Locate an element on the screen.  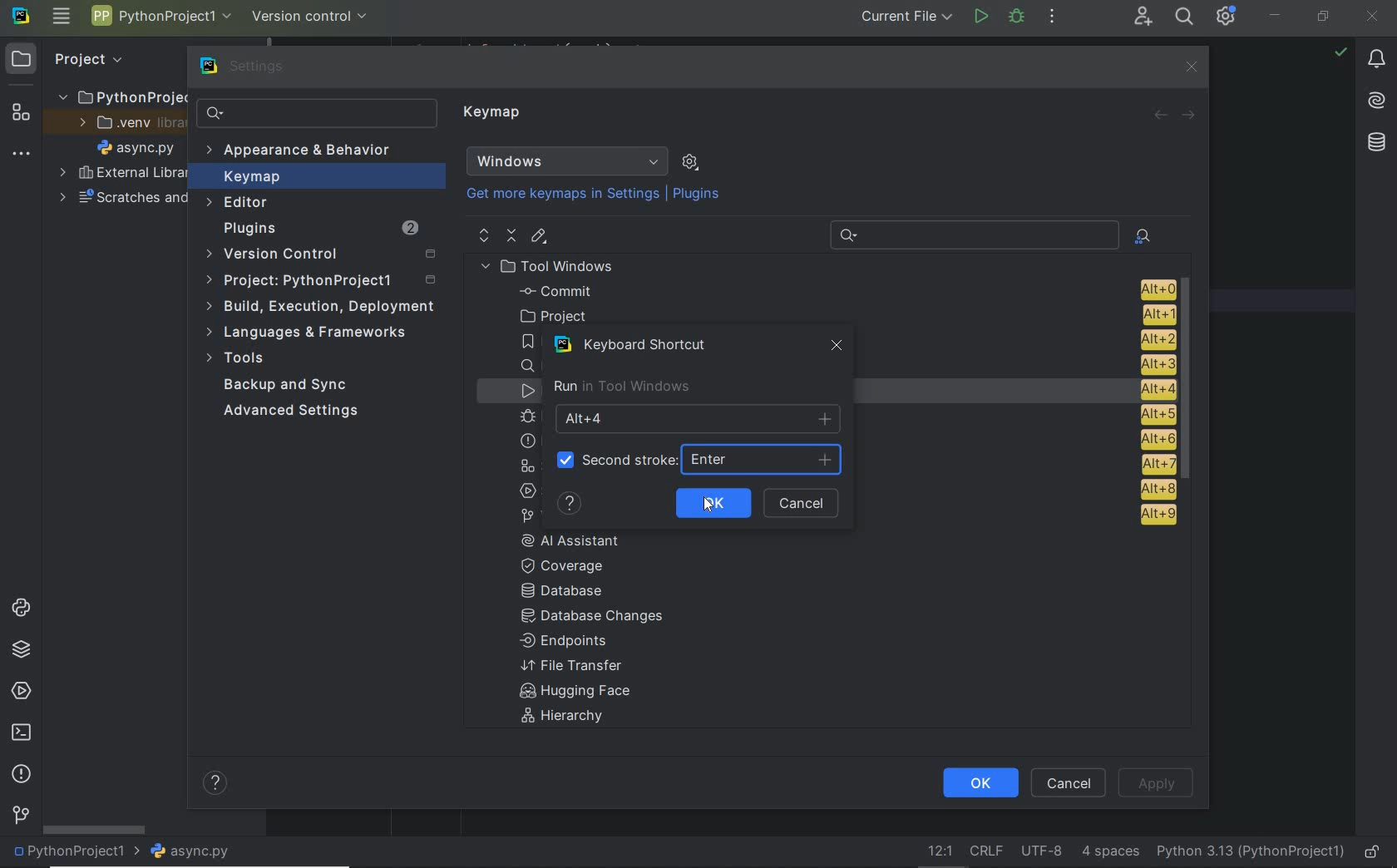
project is located at coordinates (842, 315).